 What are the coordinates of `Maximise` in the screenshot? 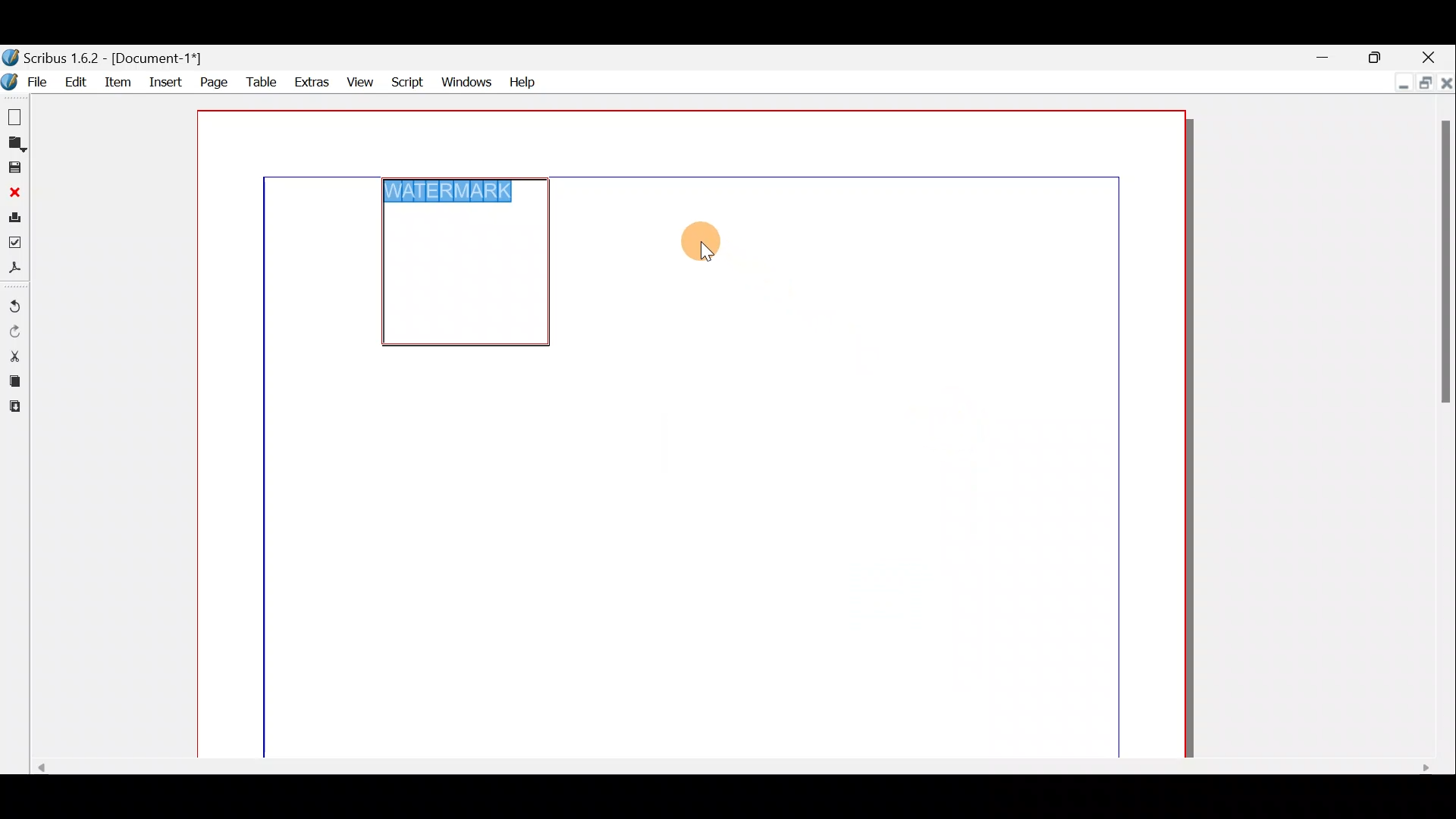 It's located at (1423, 81).